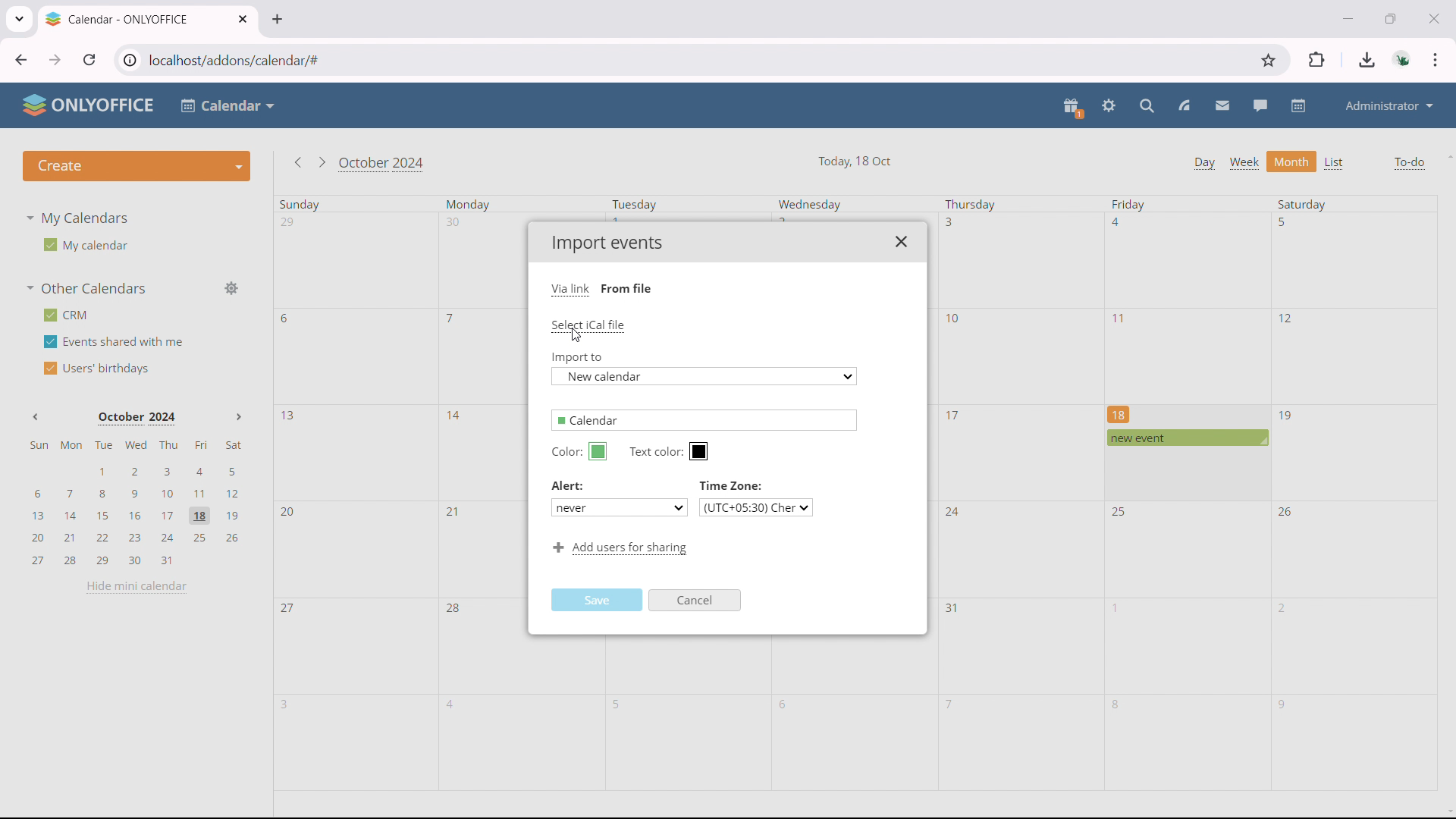  What do you see at coordinates (1109, 107) in the screenshot?
I see `settings` at bounding box center [1109, 107].